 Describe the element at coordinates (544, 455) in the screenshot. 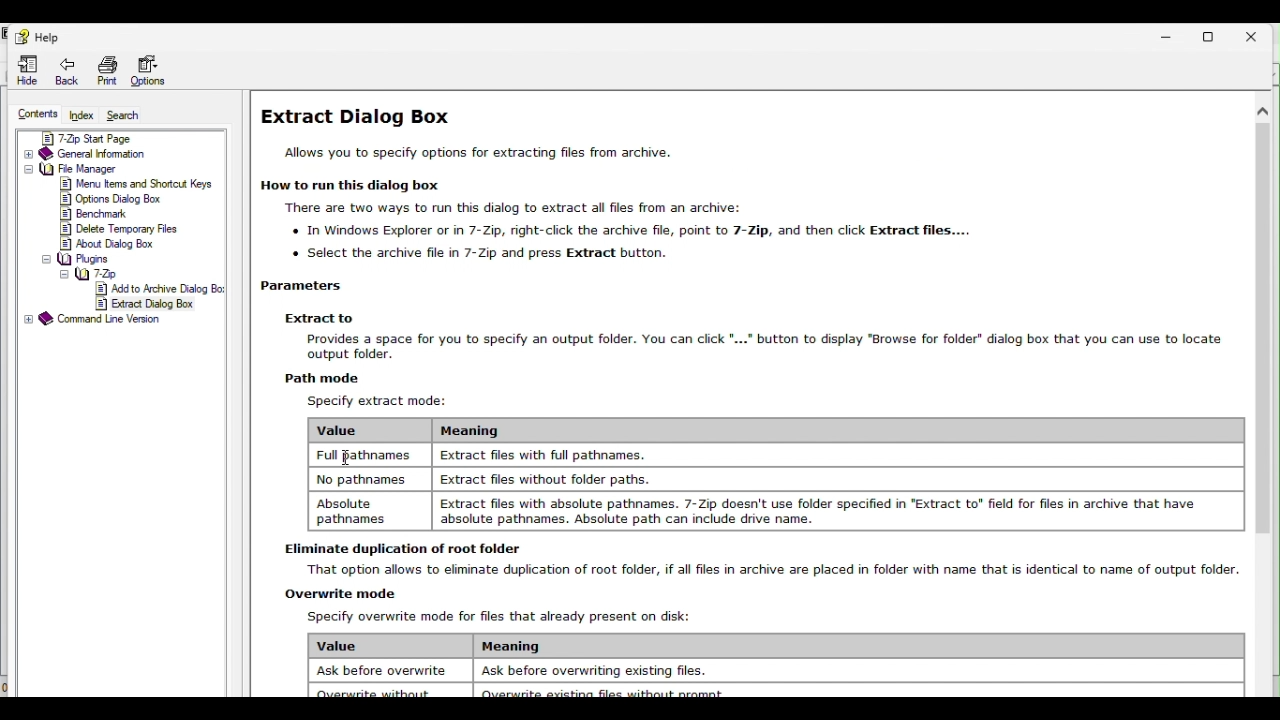

I see `extract` at that location.